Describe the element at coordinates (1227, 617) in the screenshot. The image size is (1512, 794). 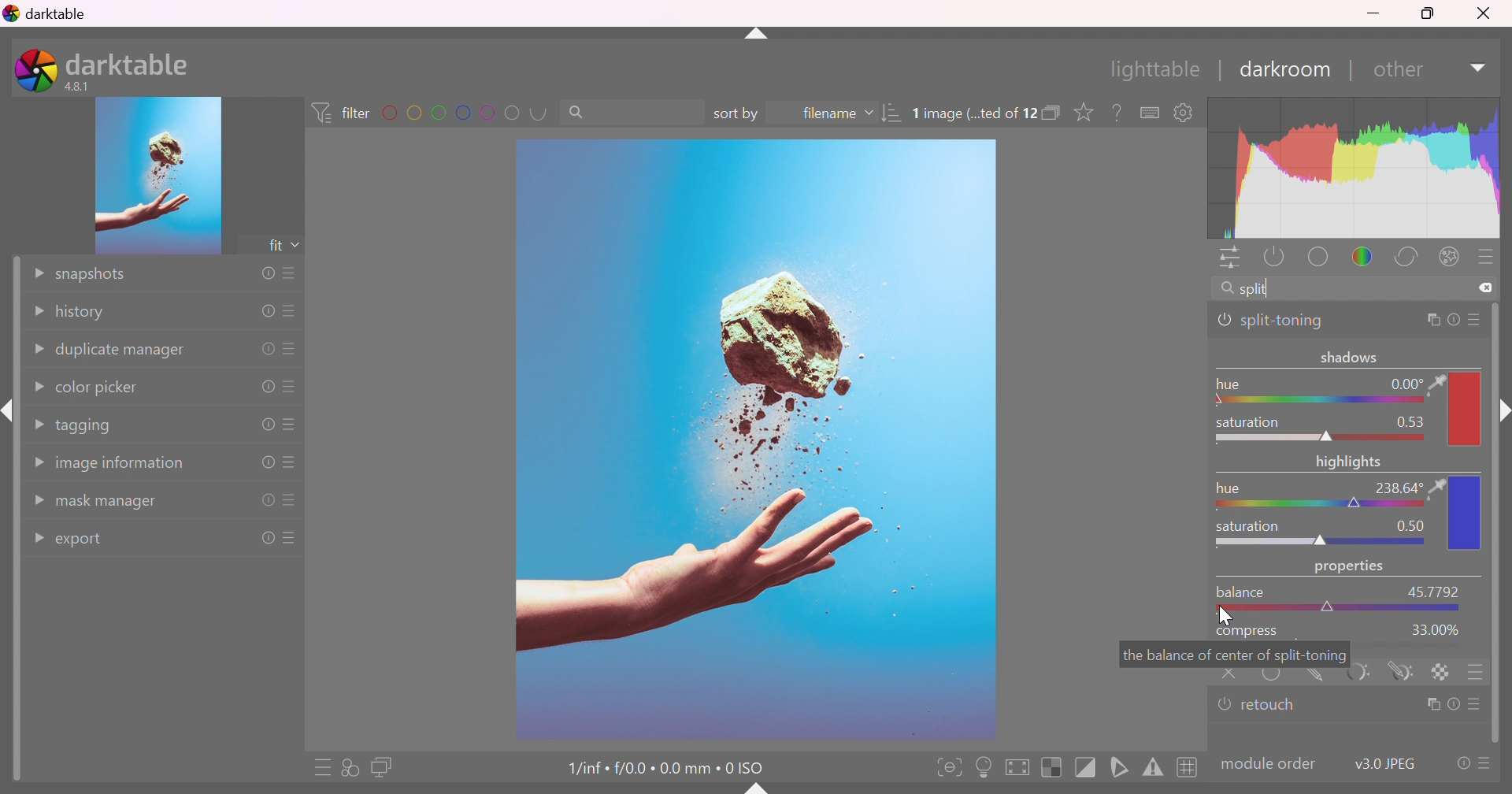
I see `cursor` at that location.